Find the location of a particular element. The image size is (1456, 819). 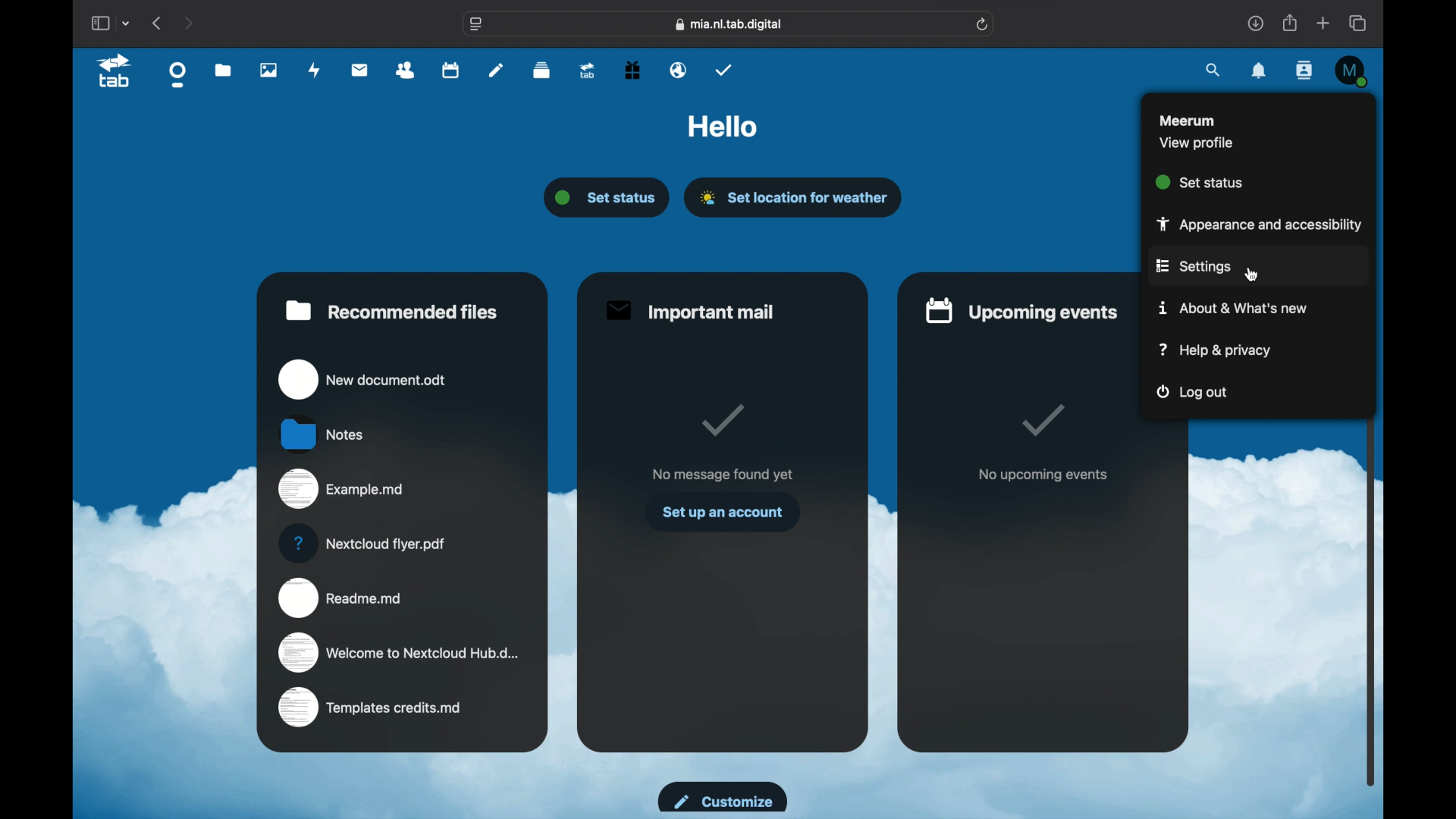

files is located at coordinates (223, 71).